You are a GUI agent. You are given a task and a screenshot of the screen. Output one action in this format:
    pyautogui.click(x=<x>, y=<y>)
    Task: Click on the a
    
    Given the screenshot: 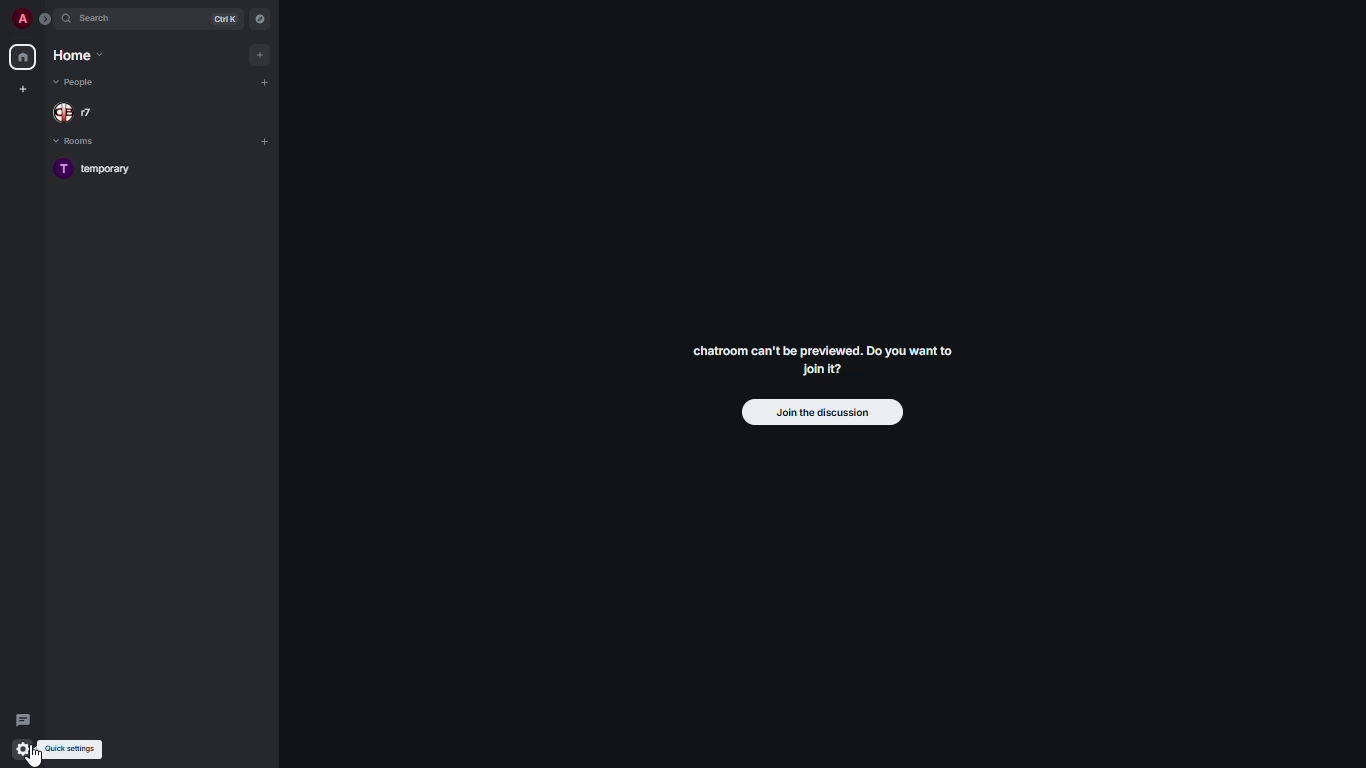 What is the action you would take?
    pyautogui.click(x=22, y=18)
    